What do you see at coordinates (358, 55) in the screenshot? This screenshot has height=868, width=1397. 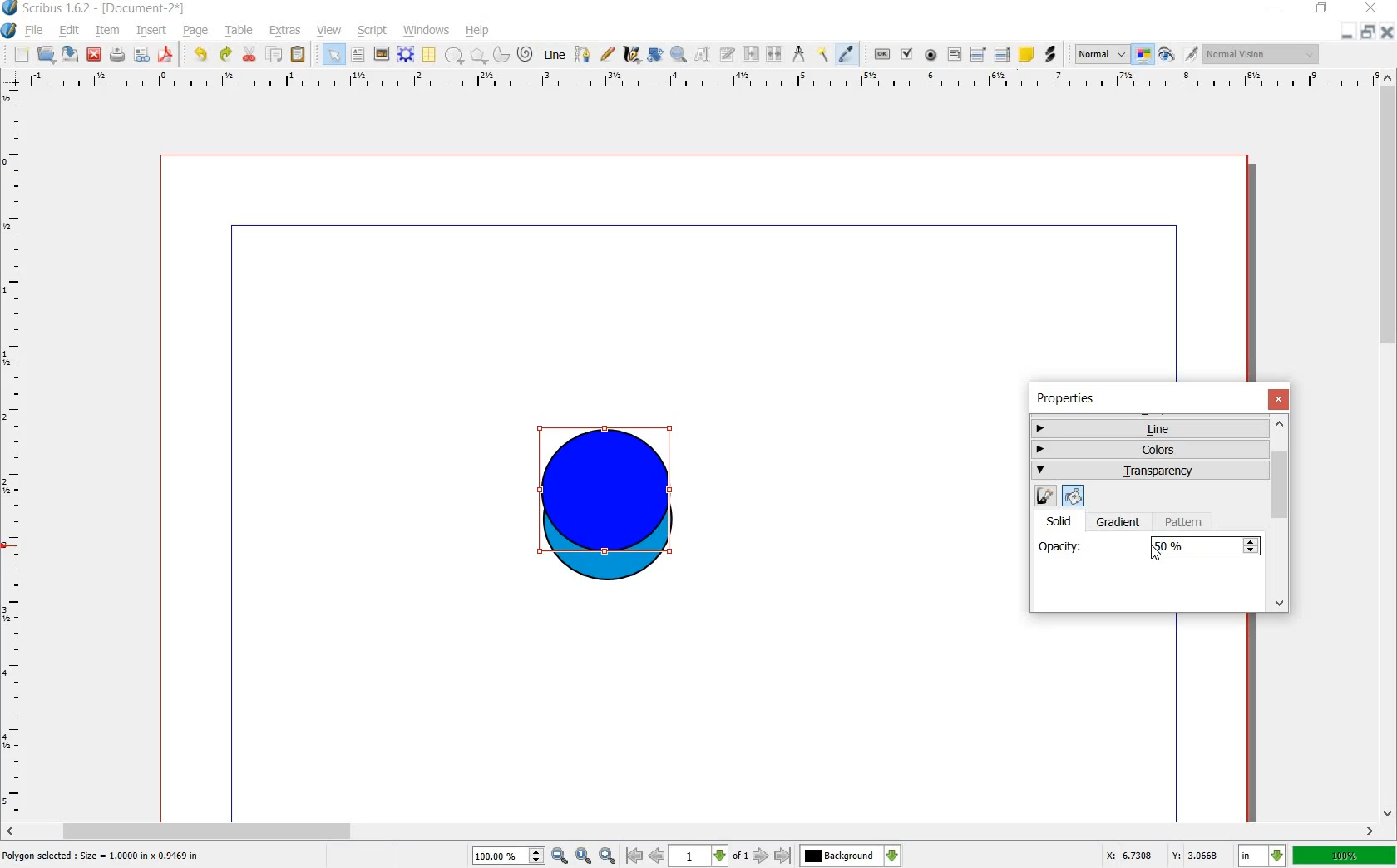 I see `text frame` at bounding box center [358, 55].